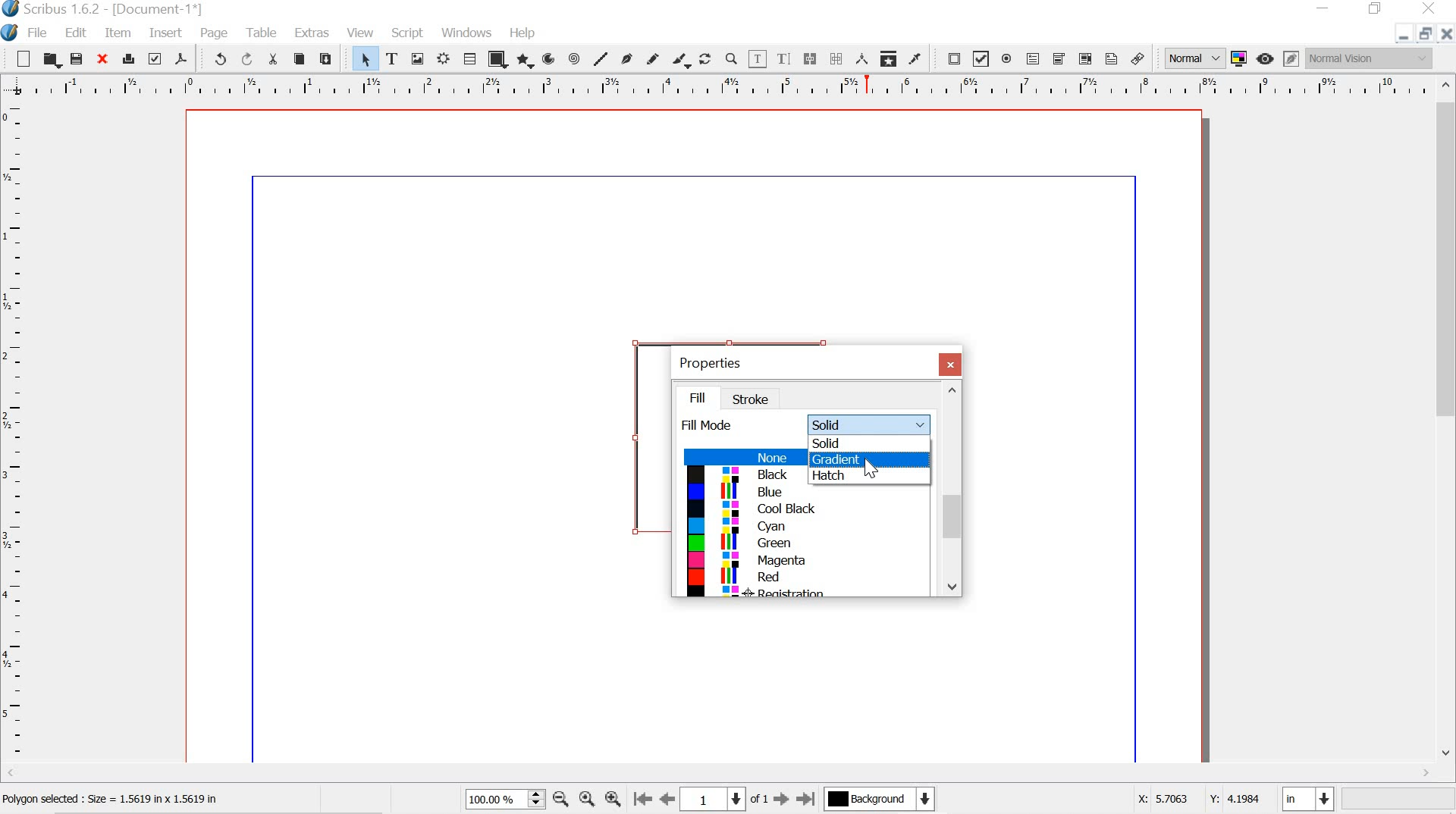 The image size is (1456, 814). I want to click on bezier curve, so click(627, 55).